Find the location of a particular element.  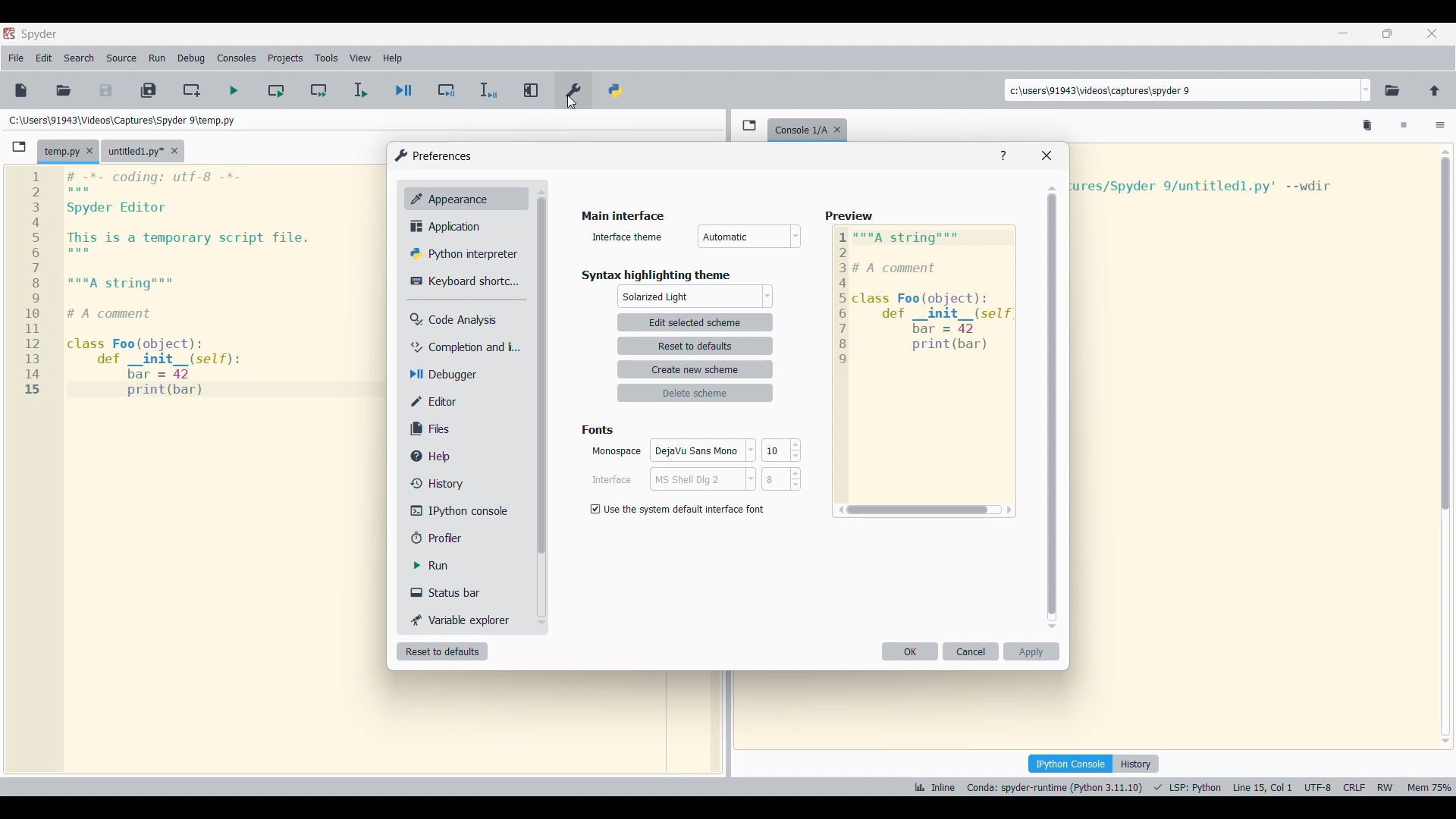

Python interpreter is located at coordinates (467, 254).